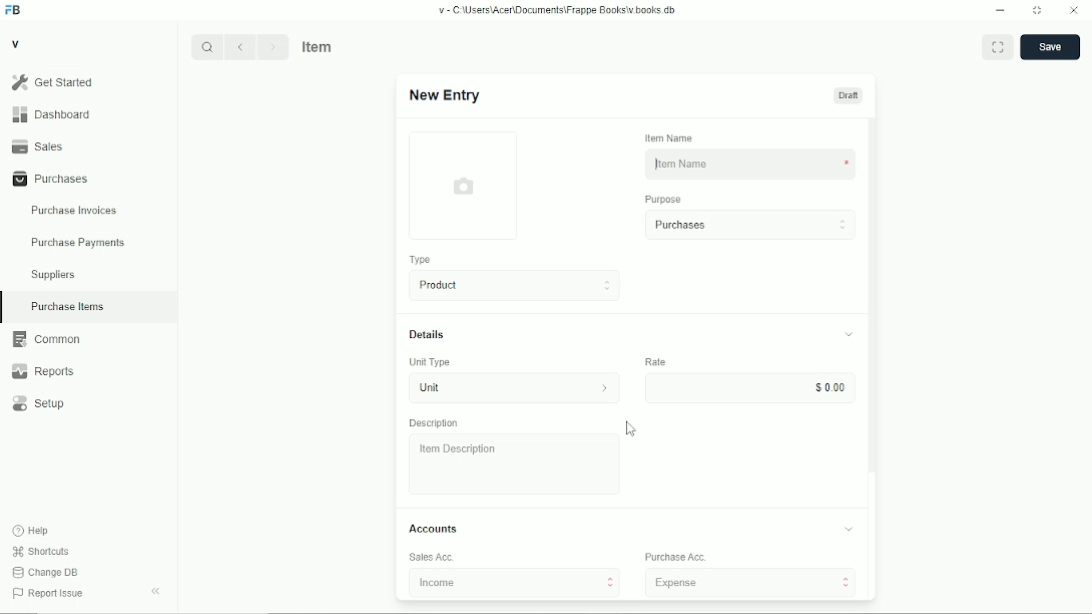 Image resolution: width=1092 pixels, height=614 pixels. Describe the element at coordinates (490, 388) in the screenshot. I see `unit` at that location.